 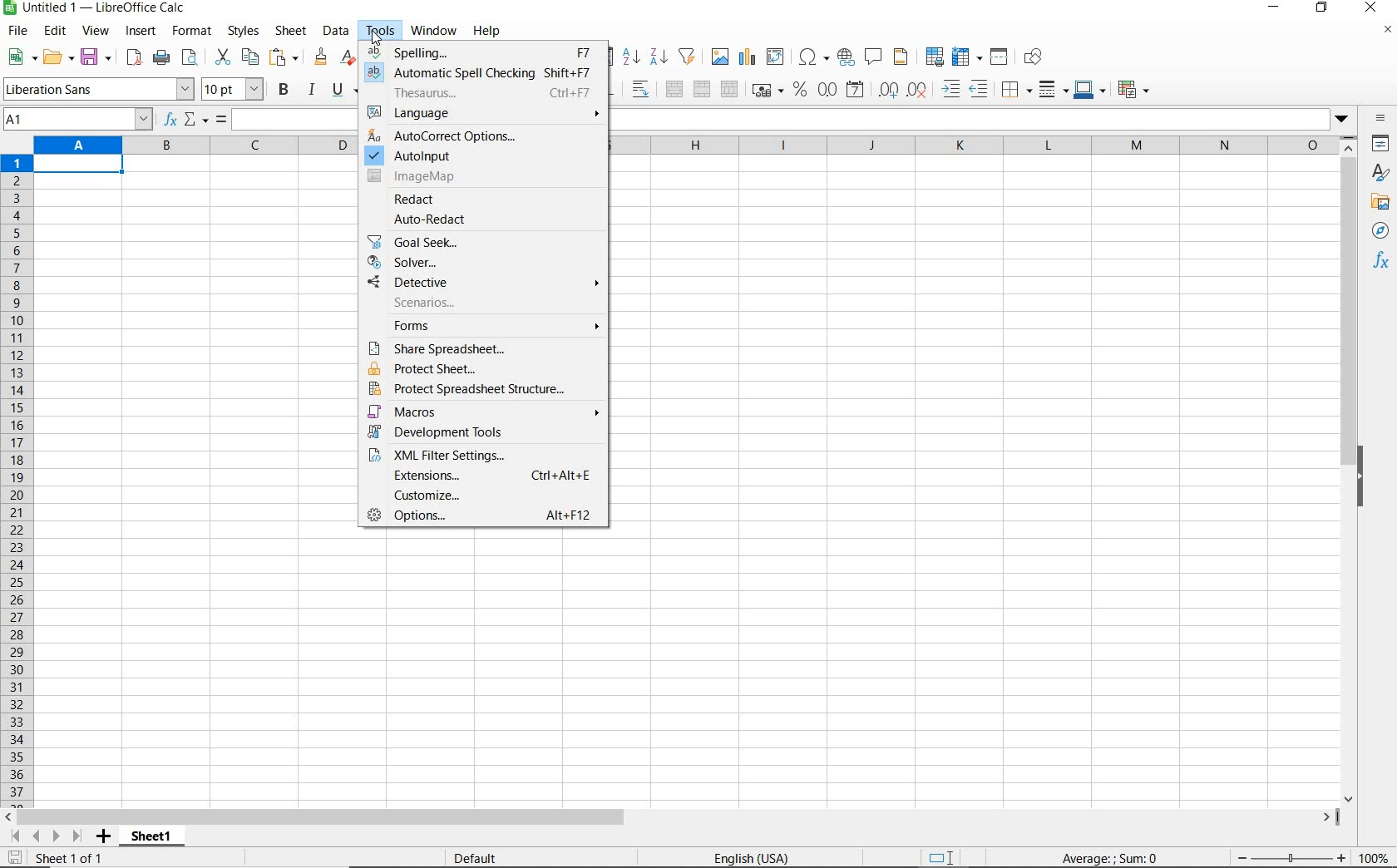 I want to click on macros, so click(x=486, y=412).